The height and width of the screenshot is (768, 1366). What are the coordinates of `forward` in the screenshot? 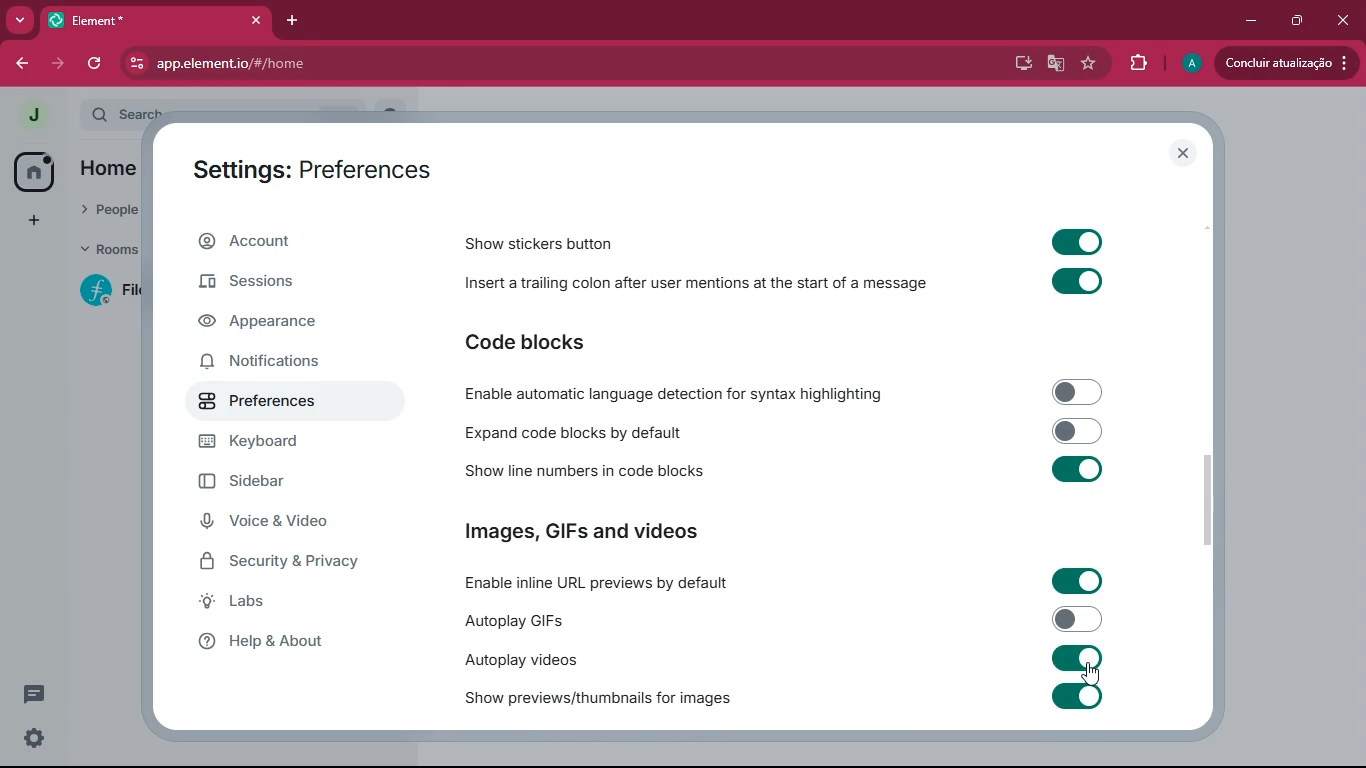 It's located at (61, 64).